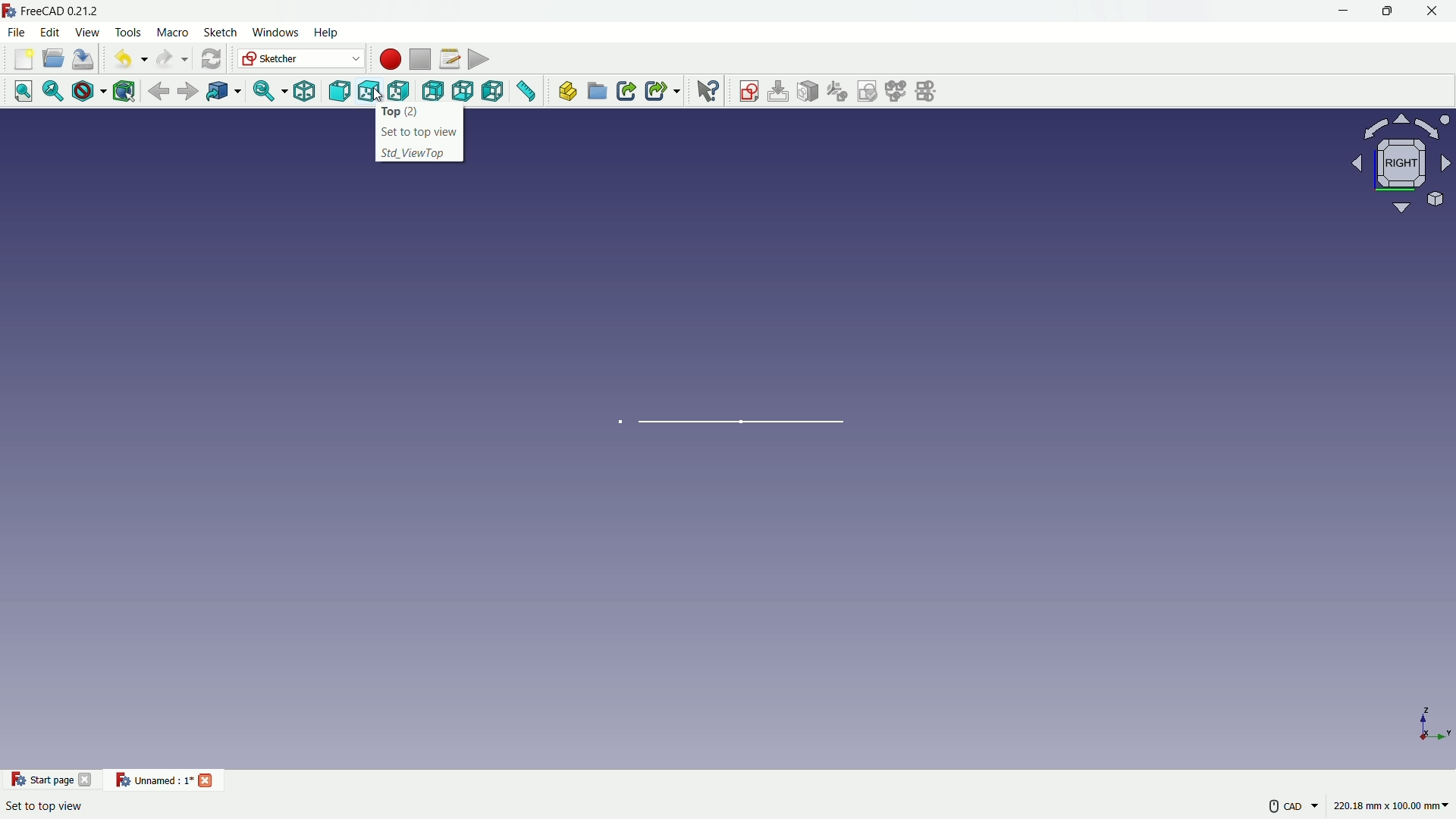  I want to click on redo, so click(168, 58).